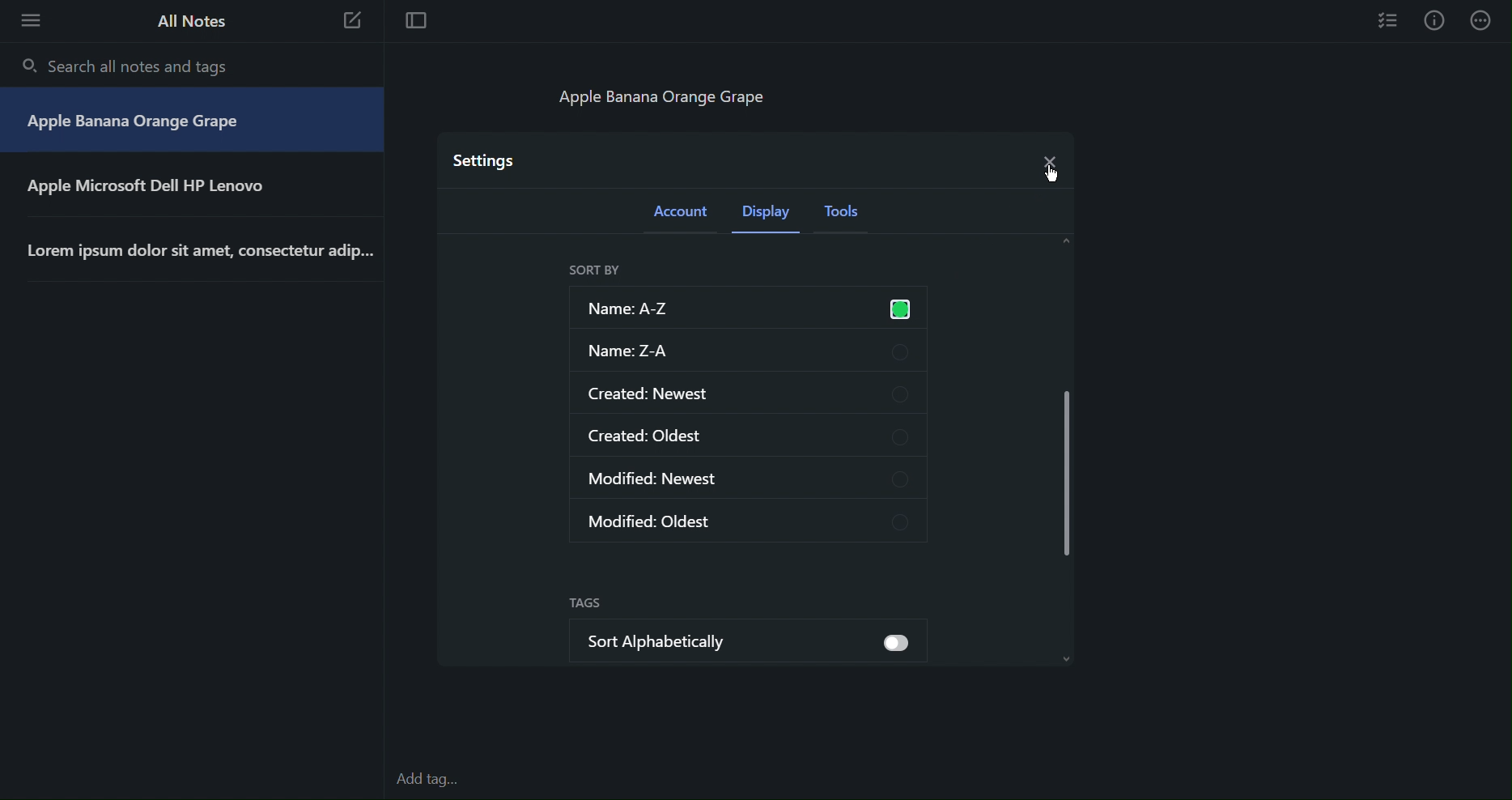  Describe the element at coordinates (1389, 19) in the screenshot. I see `Checklist` at that location.